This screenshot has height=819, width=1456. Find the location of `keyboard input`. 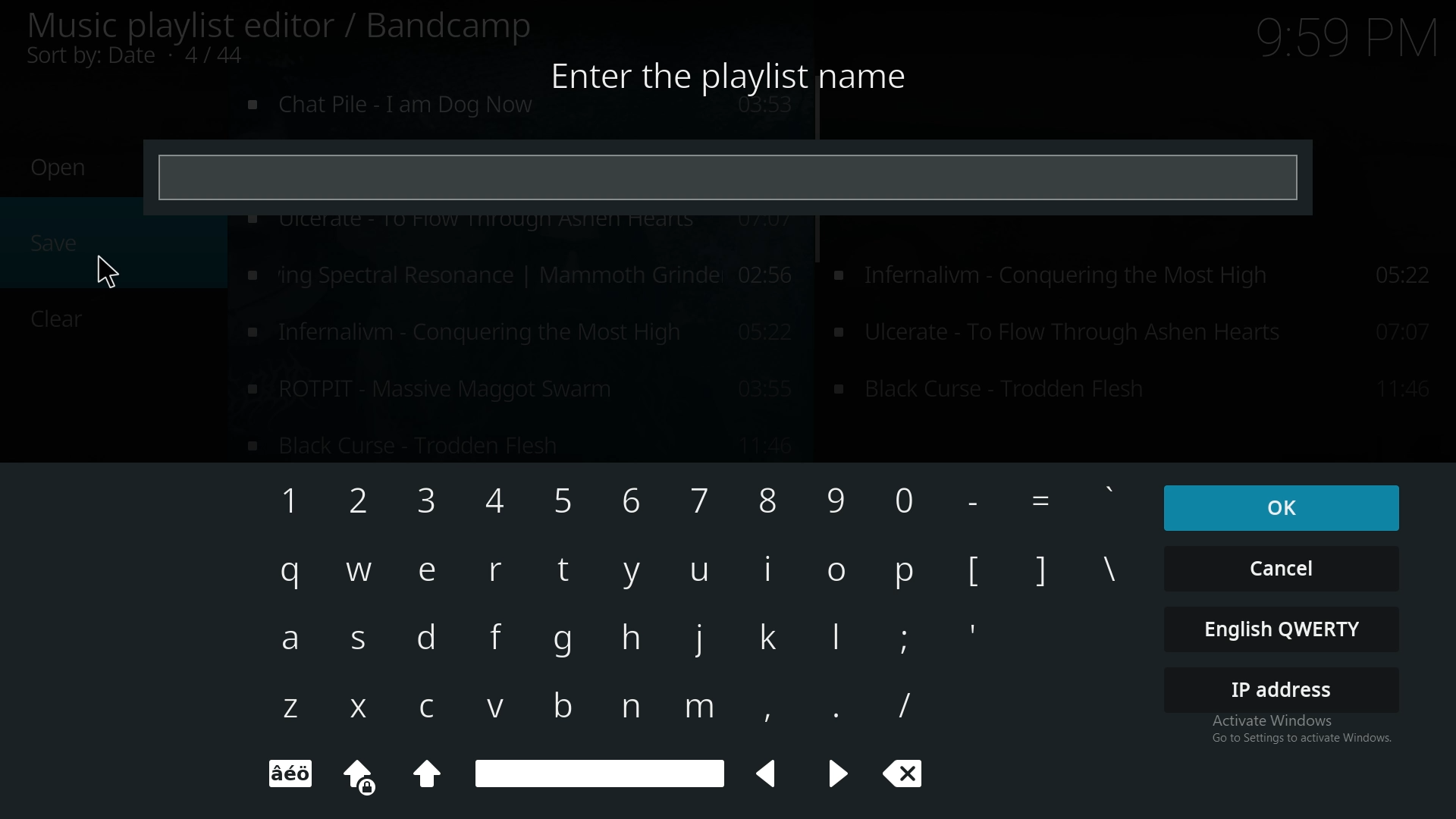

keyboard input is located at coordinates (904, 573).